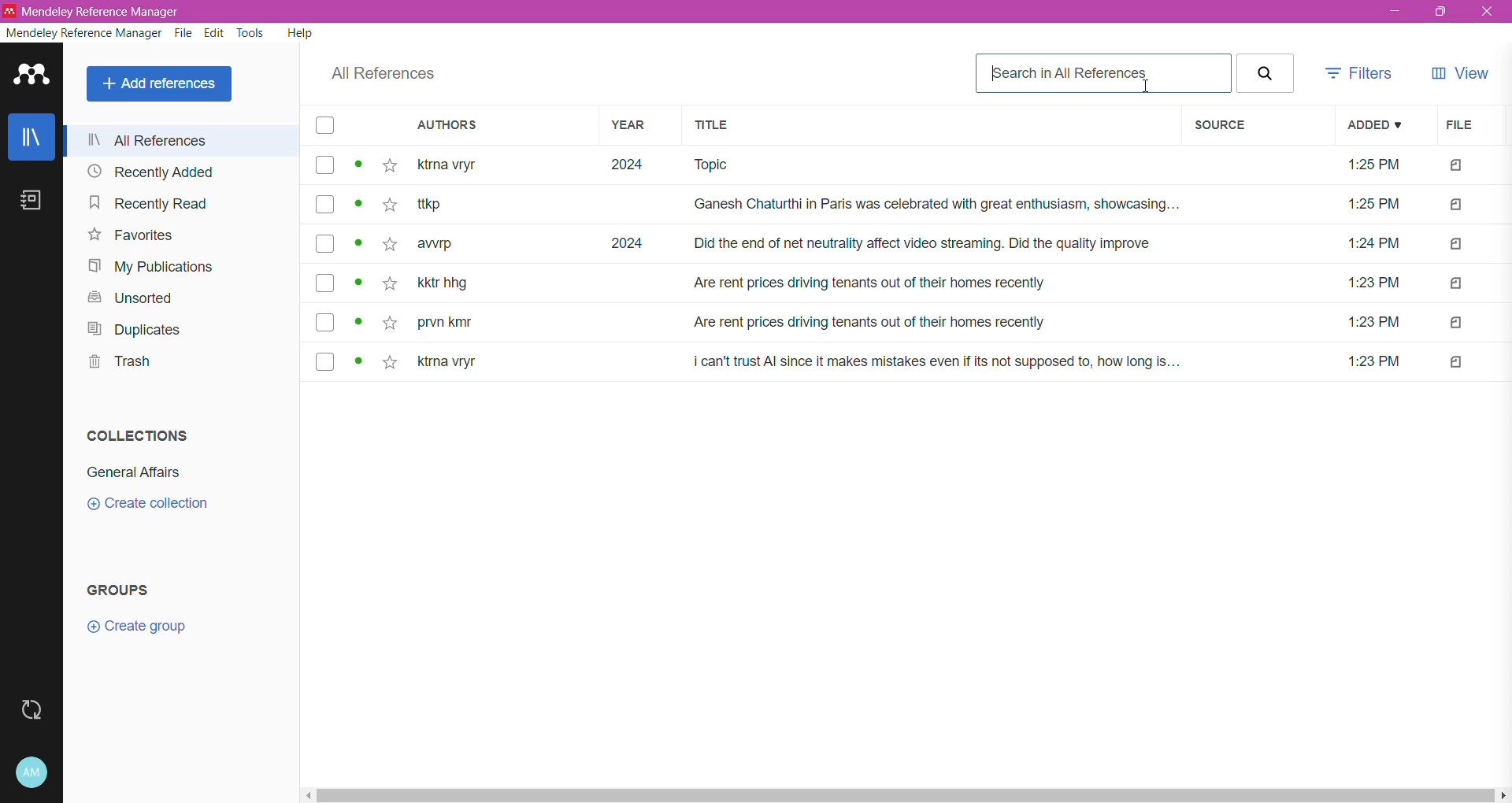 This screenshot has width=1512, height=803. Describe the element at coordinates (915, 284) in the screenshot. I see `¢  Kktrhhg Are rent prices driving tenants out of their homes recently 1:23 PM` at that location.